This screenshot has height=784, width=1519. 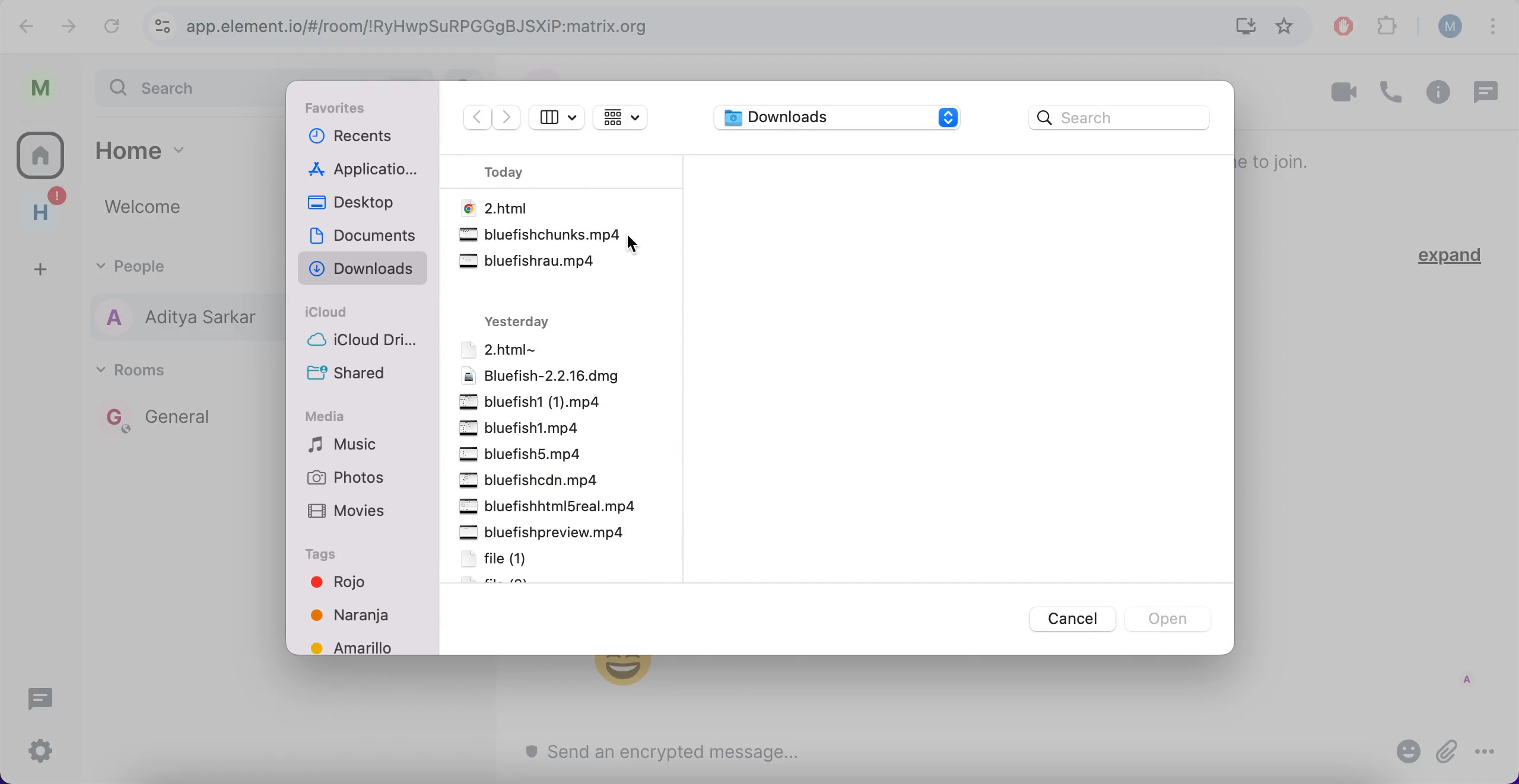 I want to click on downloads, so click(x=845, y=117).